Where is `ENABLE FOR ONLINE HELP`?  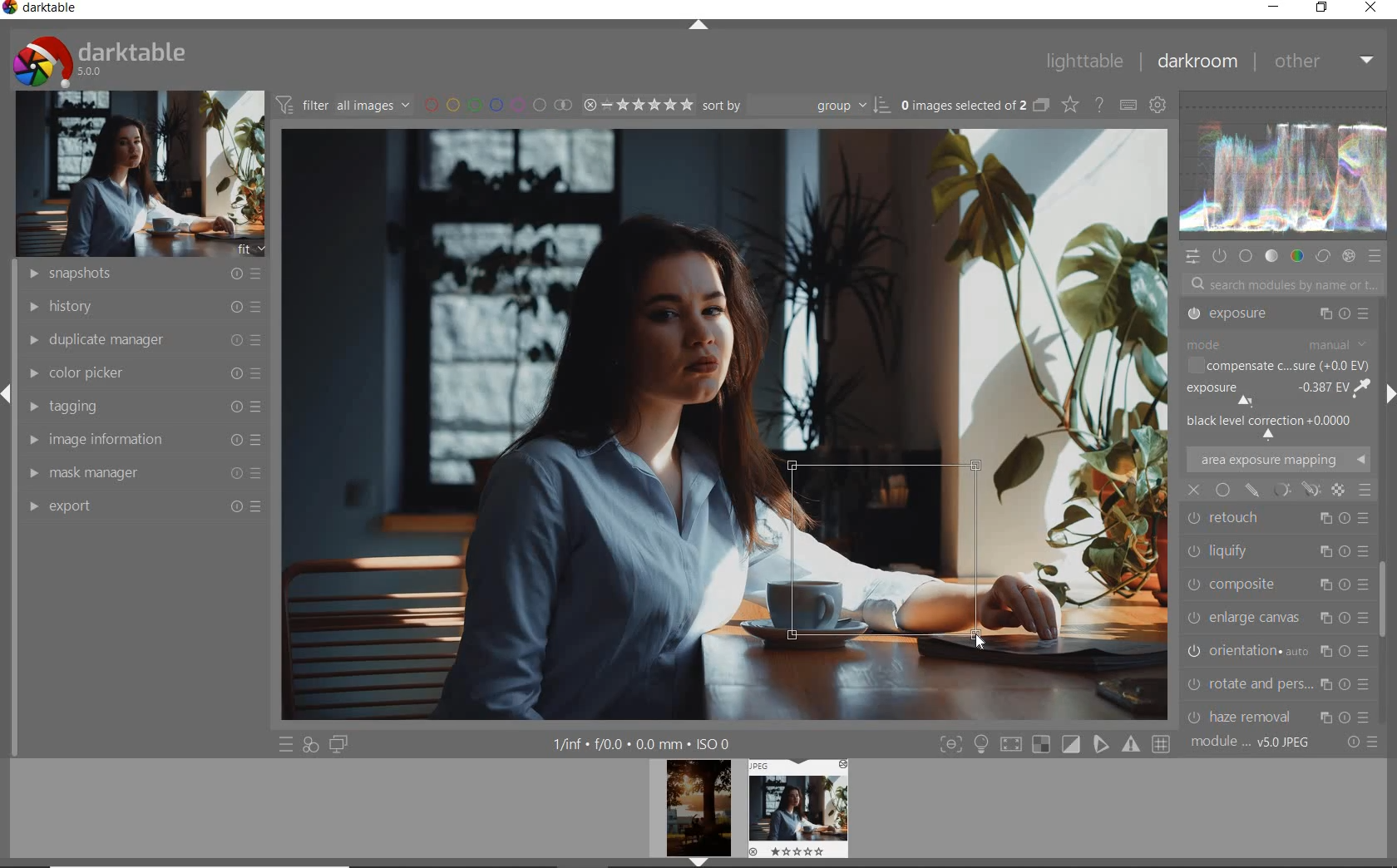
ENABLE FOR ONLINE HELP is located at coordinates (1099, 105).